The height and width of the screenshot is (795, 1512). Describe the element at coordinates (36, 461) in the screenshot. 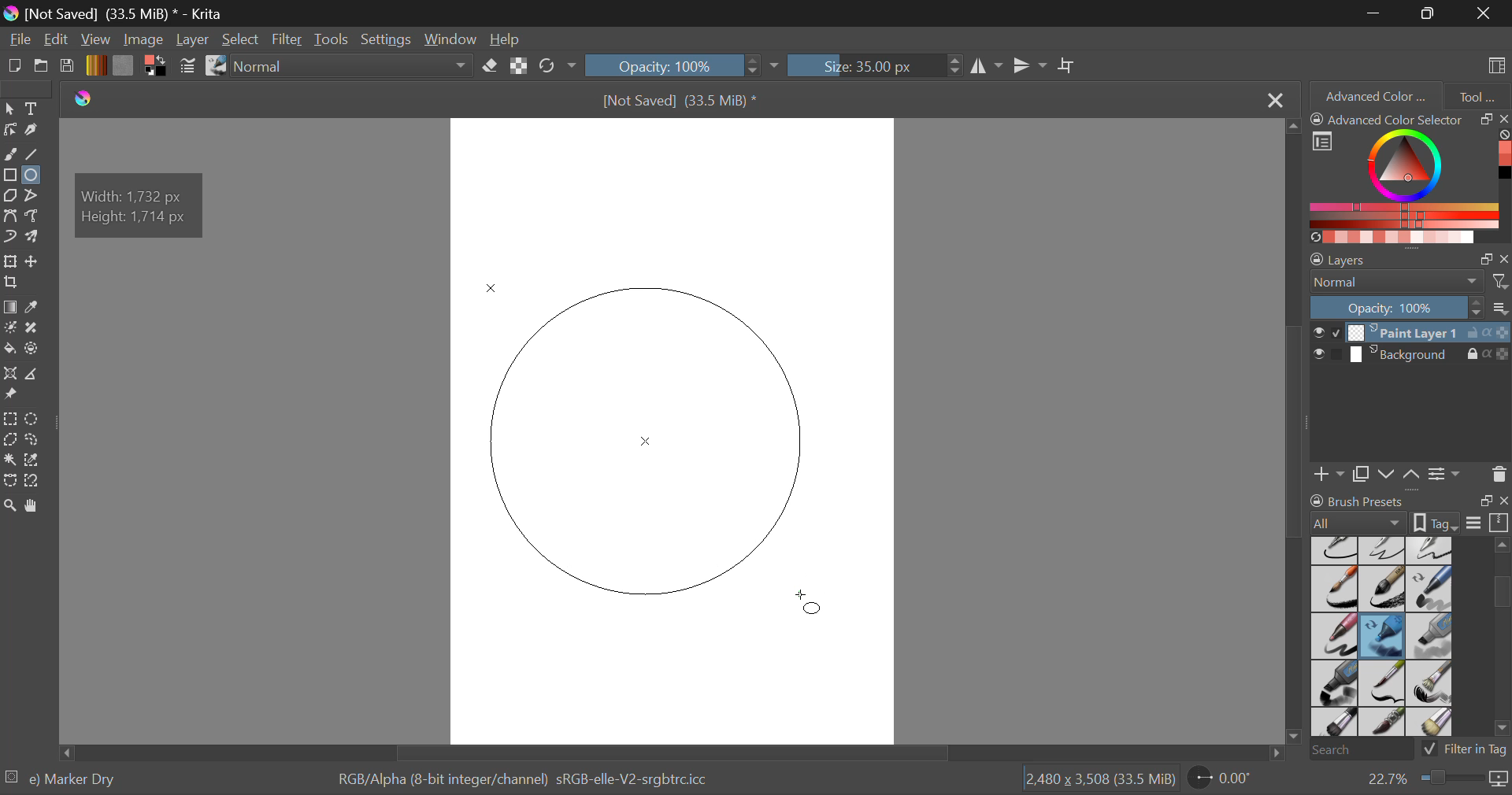

I see `Similar Color Selection` at that location.